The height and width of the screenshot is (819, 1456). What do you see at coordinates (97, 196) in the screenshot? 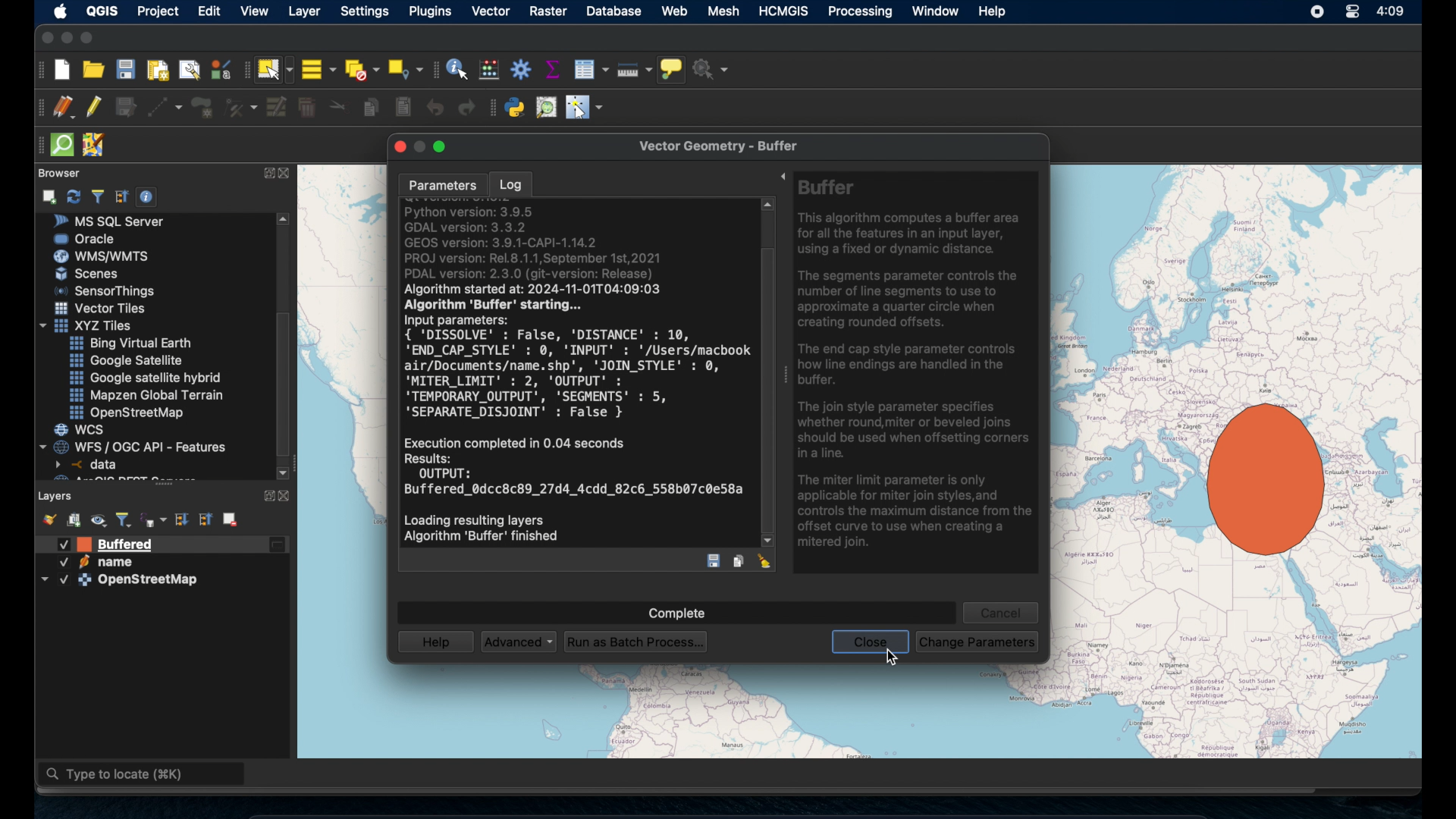
I see `filter browser` at bounding box center [97, 196].